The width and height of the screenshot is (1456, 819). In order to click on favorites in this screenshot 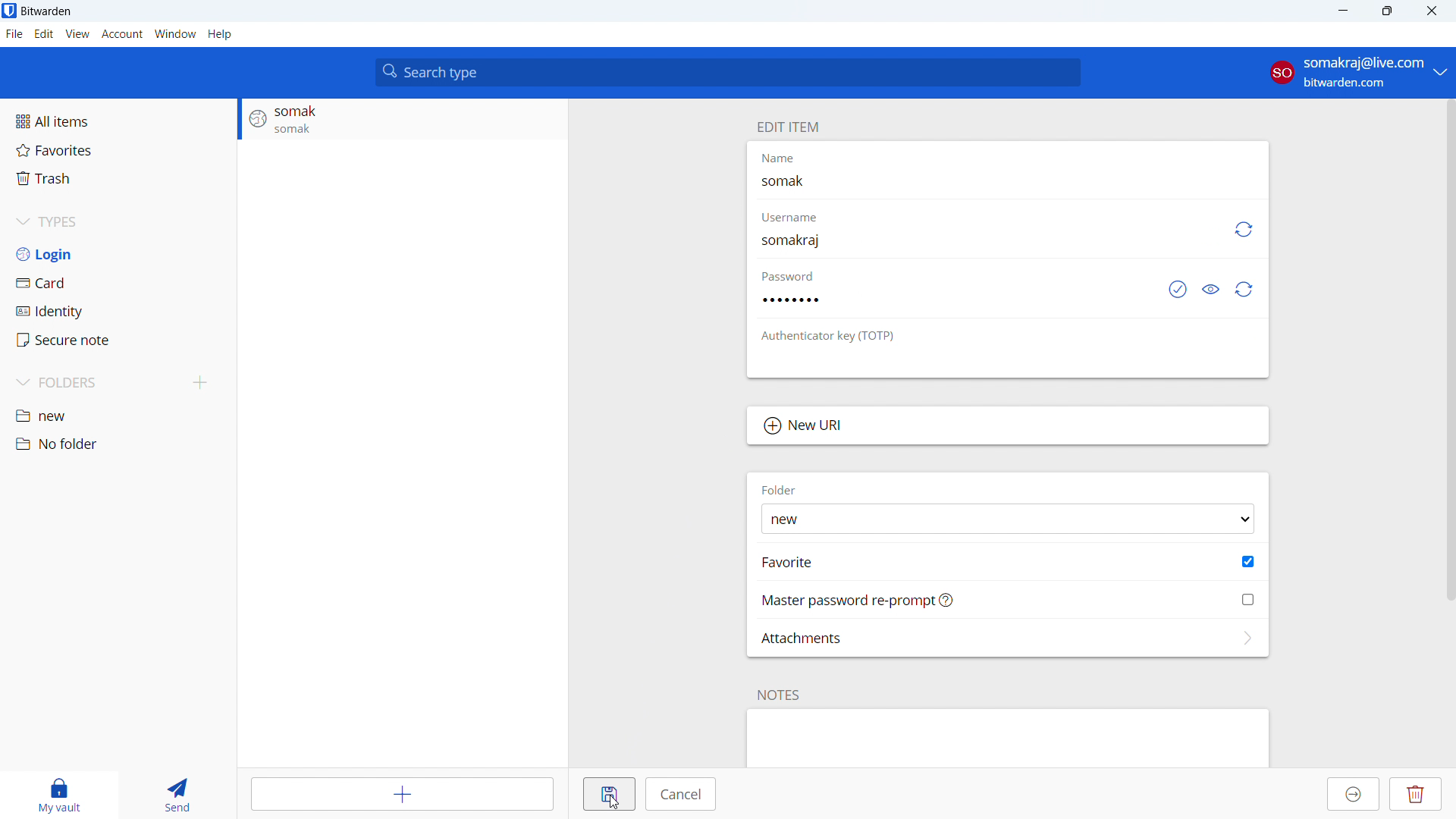, I will do `click(118, 150)`.